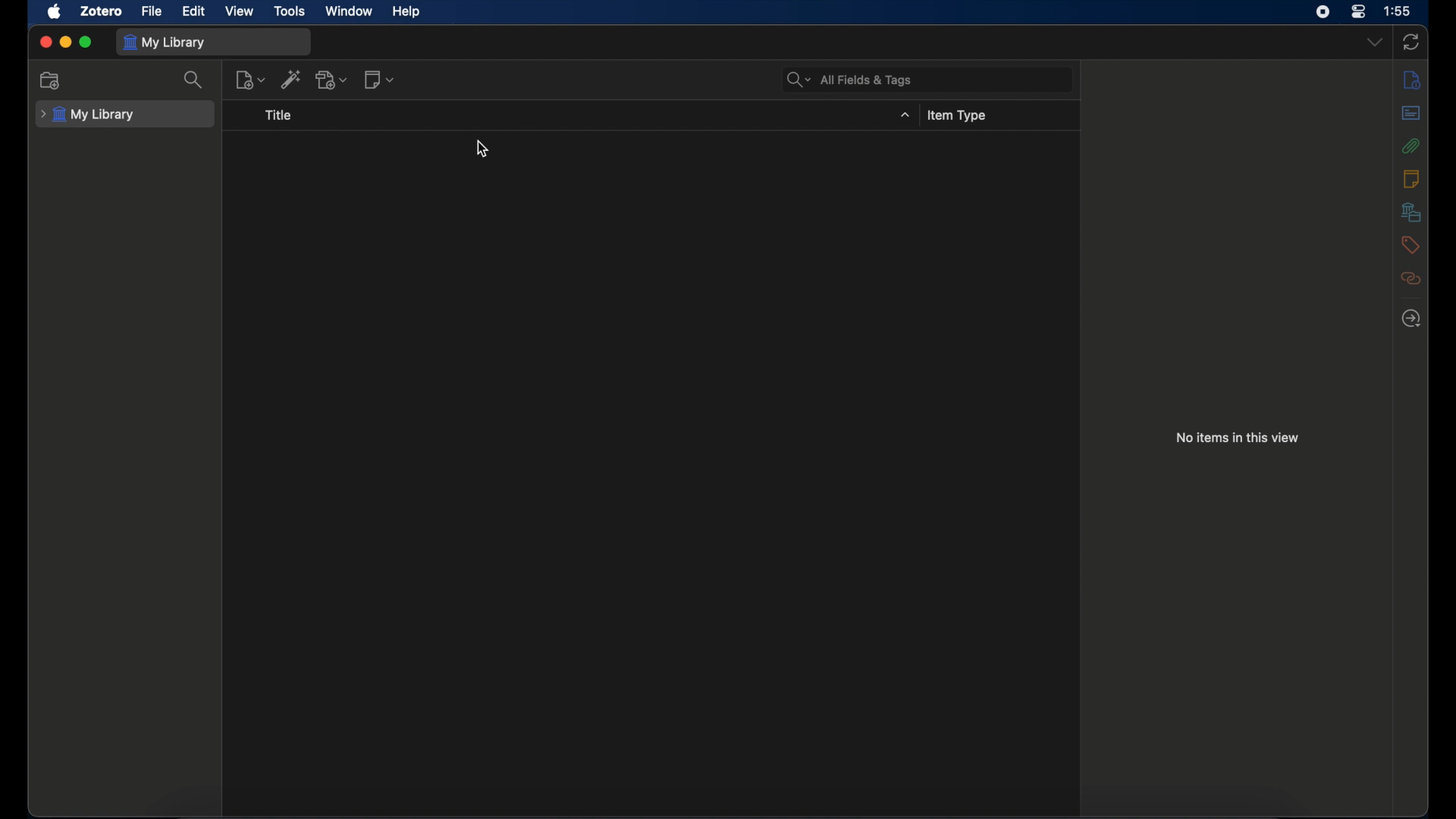 This screenshot has height=819, width=1456. I want to click on window, so click(350, 11).